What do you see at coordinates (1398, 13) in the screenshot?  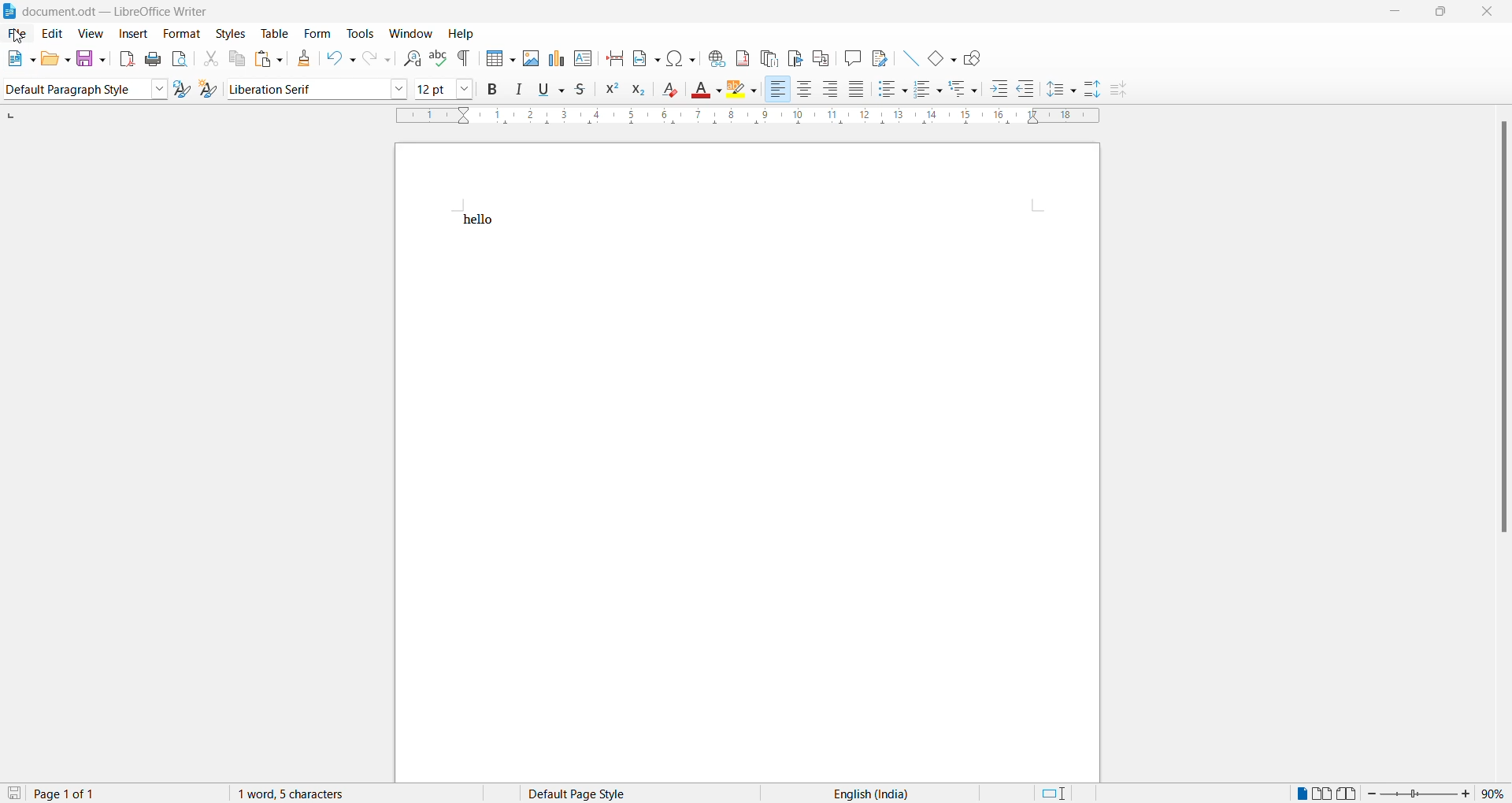 I see `minimize` at bounding box center [1398, 13].